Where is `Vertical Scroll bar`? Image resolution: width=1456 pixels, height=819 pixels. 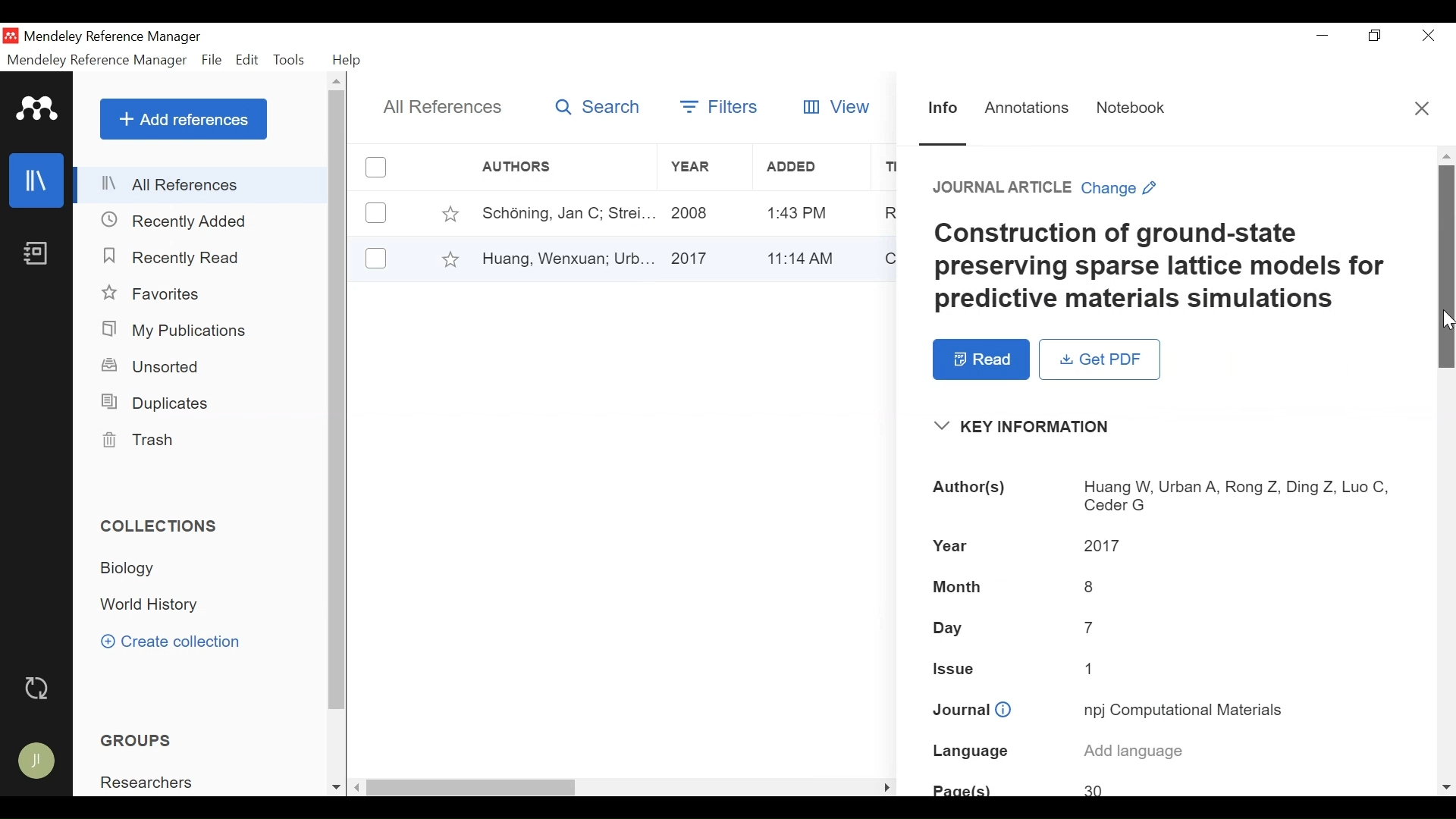 Vertical Scroll bar is located at coordinates (474, 789).